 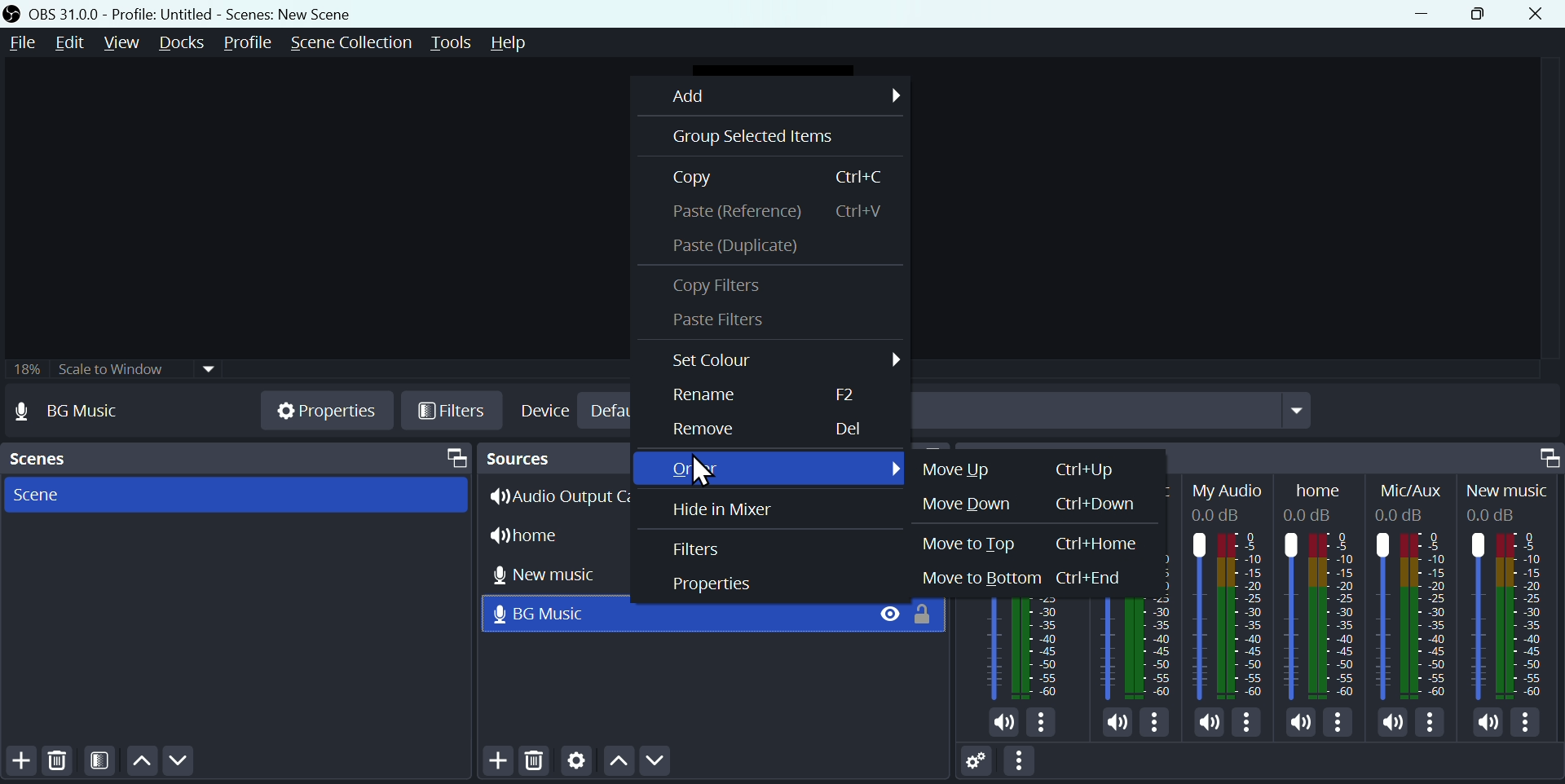 I want to click on Mute/Unmutre, so click(x=1115, y=719).